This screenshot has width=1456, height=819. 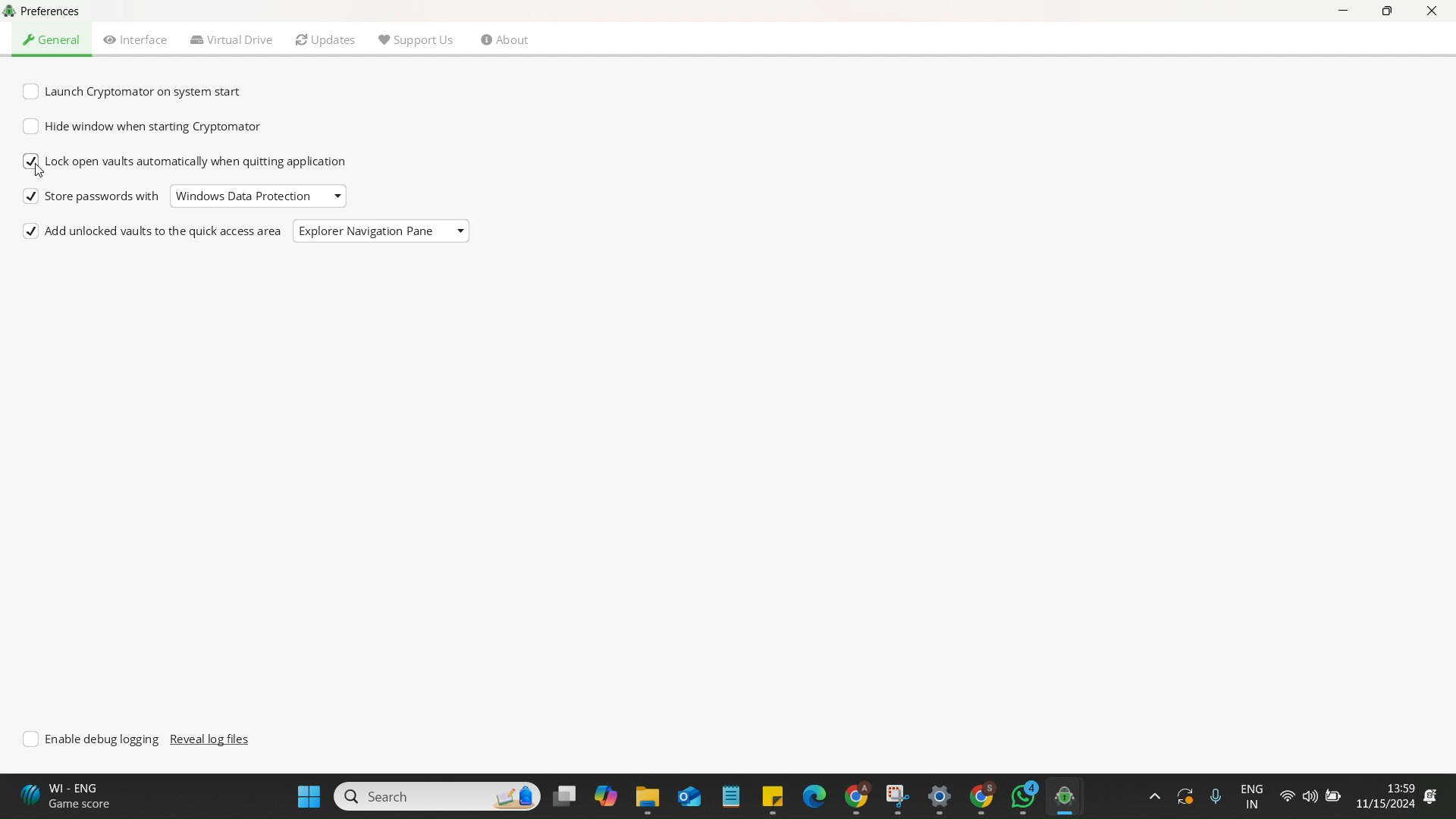 What do you see at coordinates (1432, 12) in the screenshot?
I see `Close` at bounding box center [1432, 12].